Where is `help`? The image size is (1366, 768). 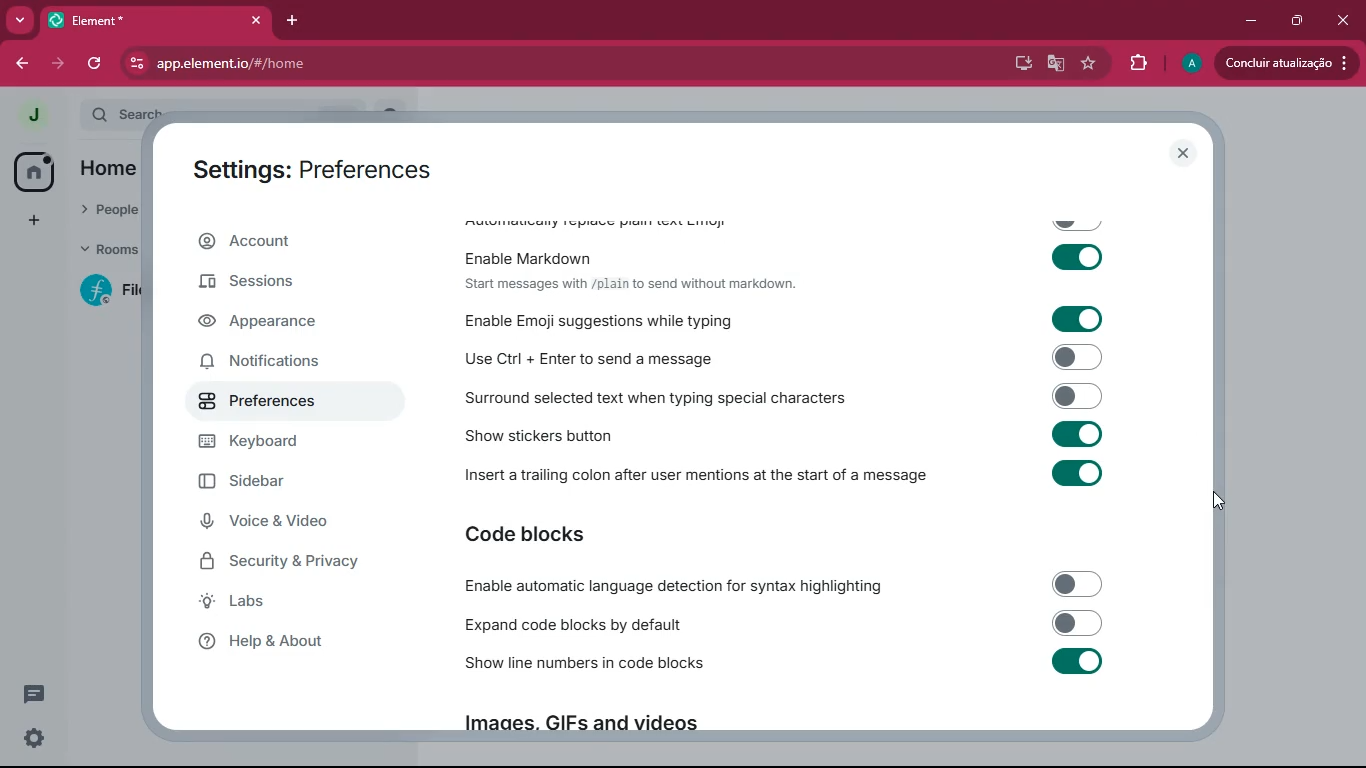
help is located at coordinates (283, 645).